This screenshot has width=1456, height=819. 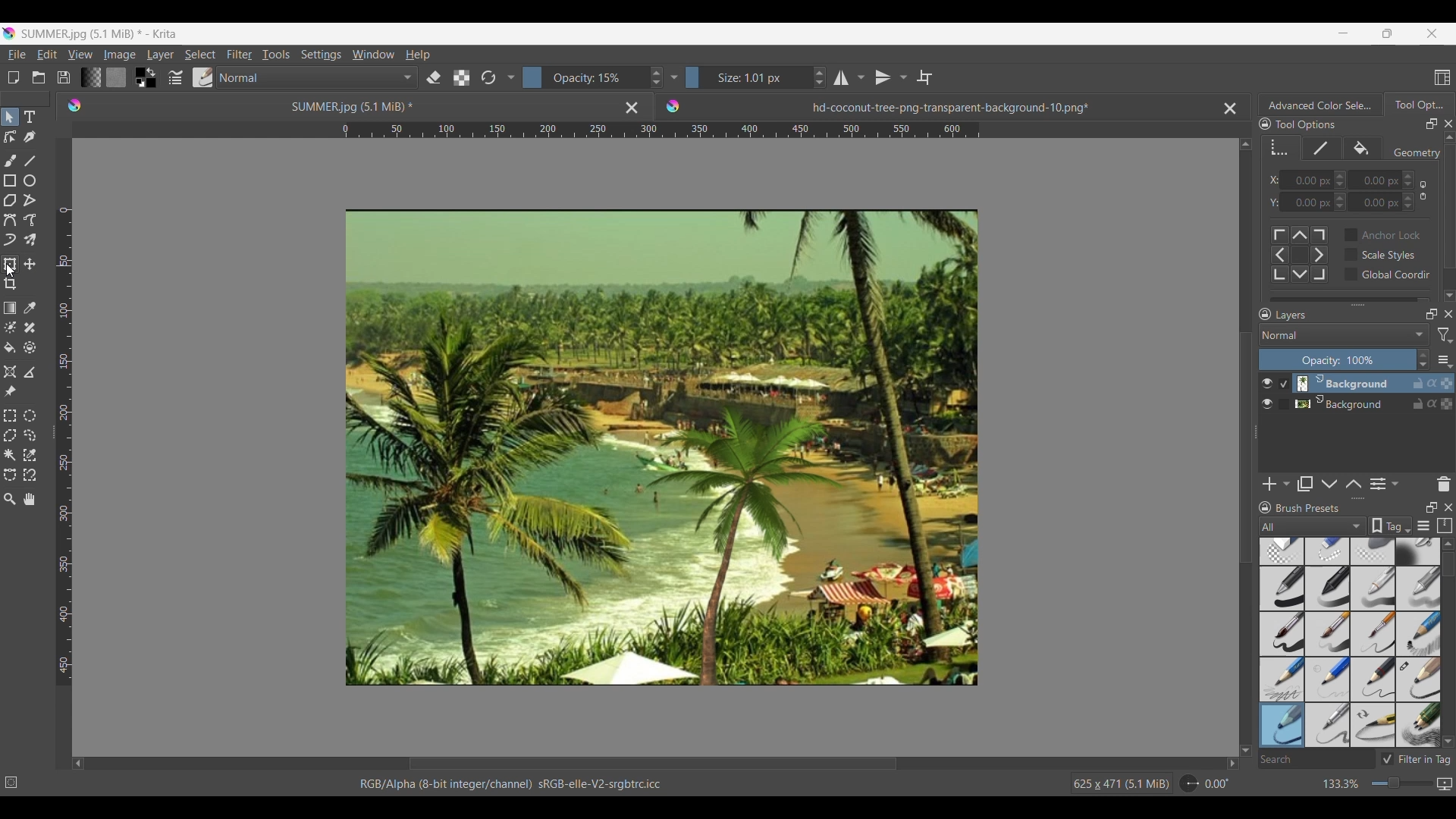 What do you see at coordinates (418, 55) in the screenshot?
I see `Help` at bounding box center [418, 55].